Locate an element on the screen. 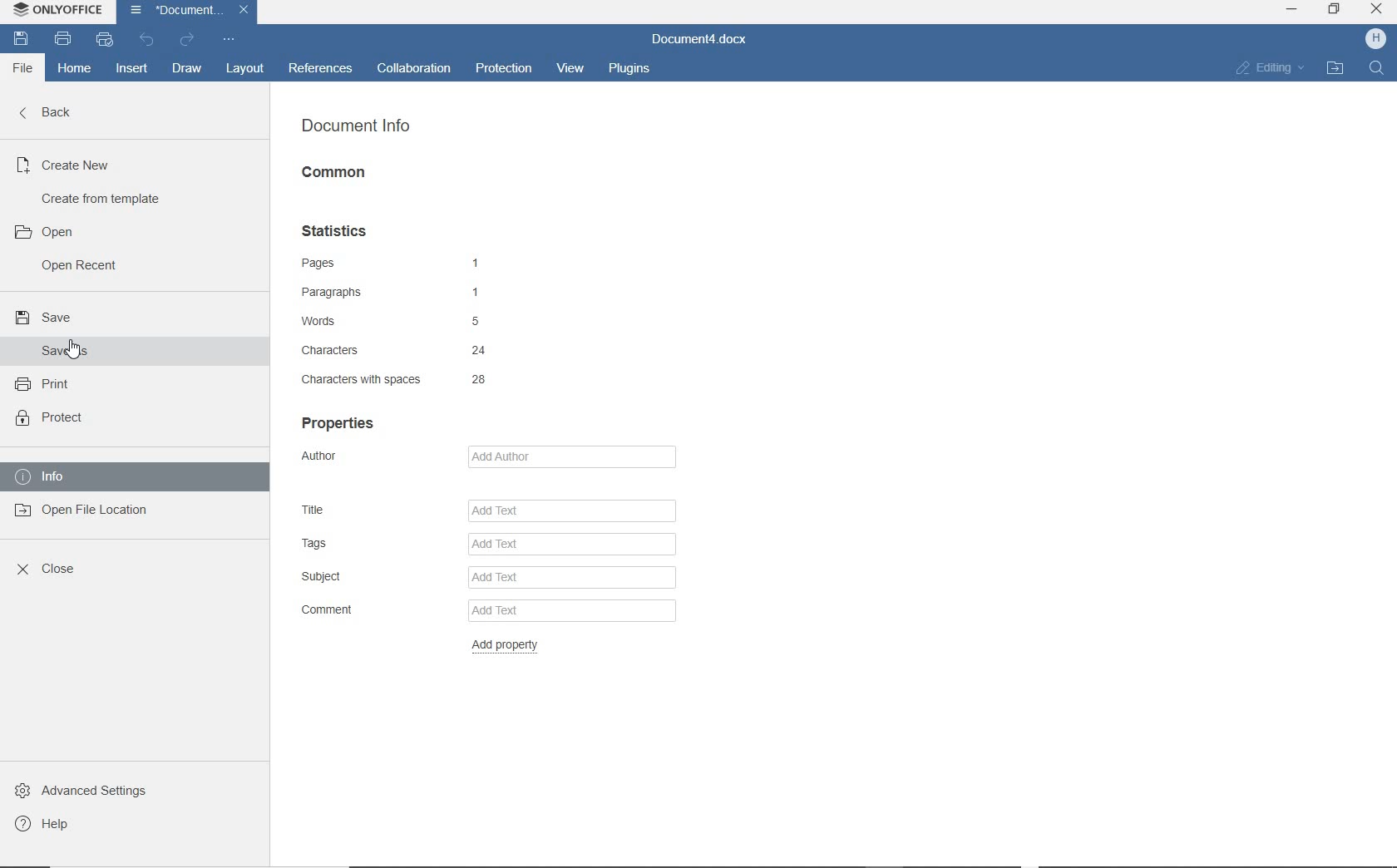 The image size is (1397, 868). print file is located at coordinates (62, 42).